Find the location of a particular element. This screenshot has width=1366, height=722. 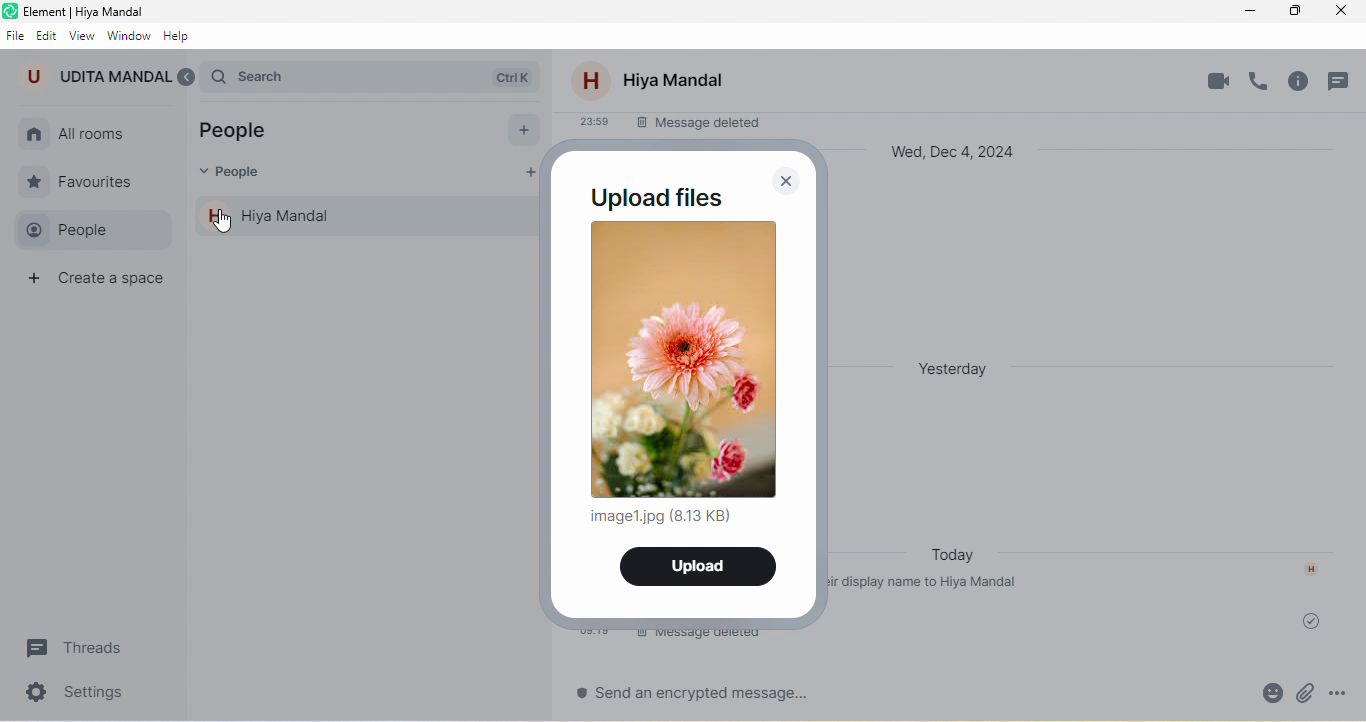

minimize is located at coordinates (1252, 11).